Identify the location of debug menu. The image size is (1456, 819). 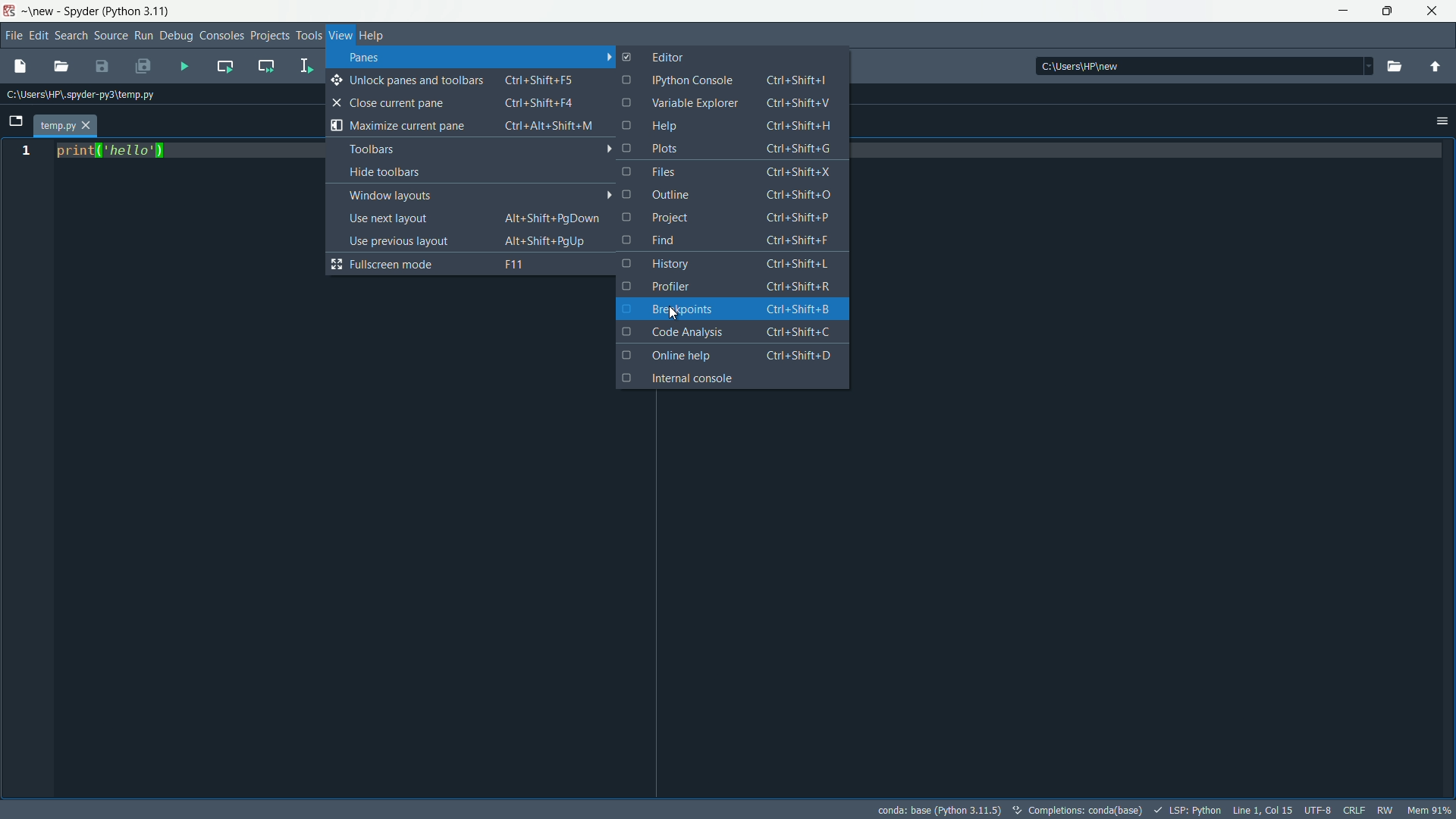
(177, 36).